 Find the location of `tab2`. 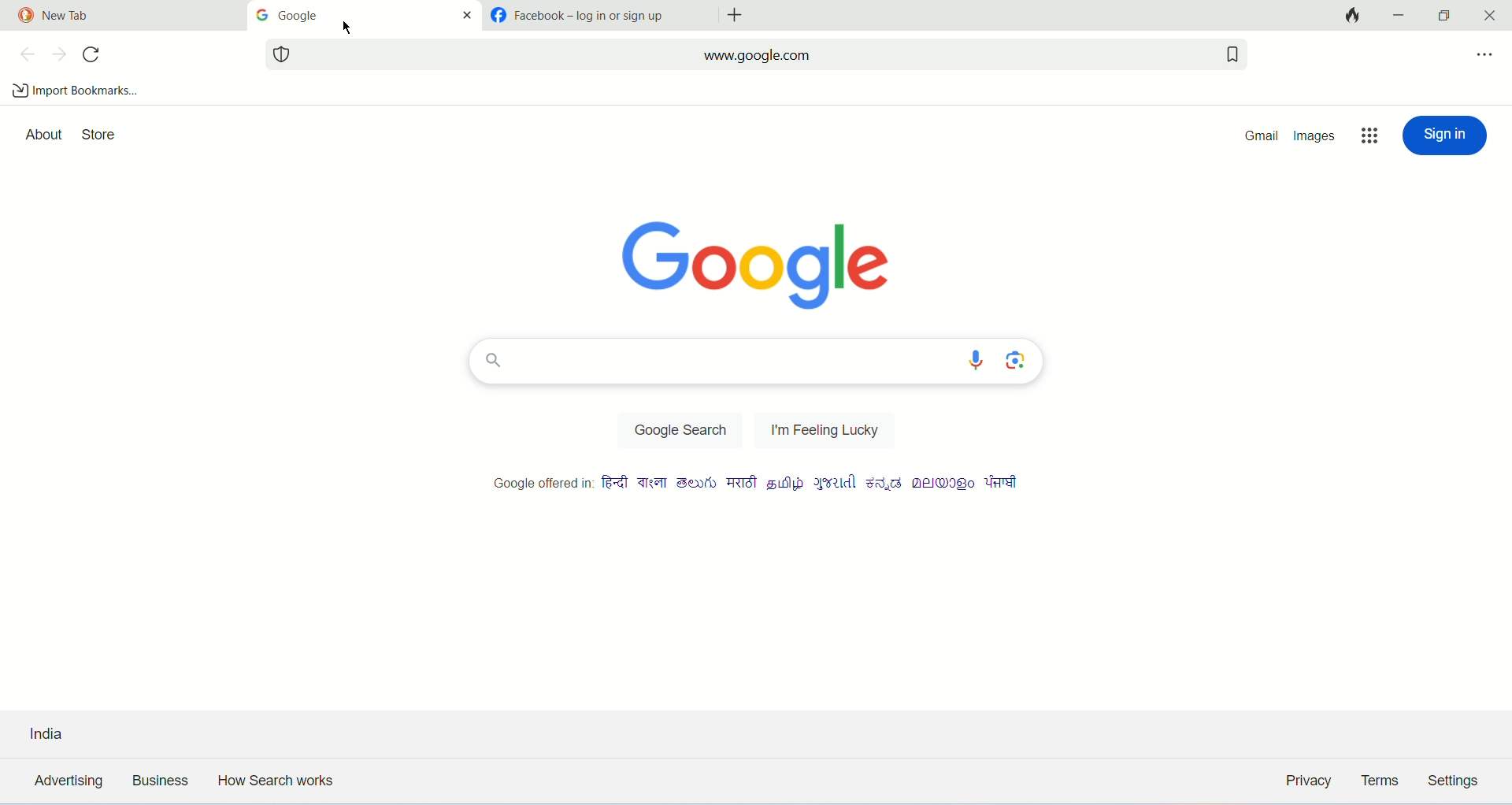

tab2 is located at coordinates (598, 16).